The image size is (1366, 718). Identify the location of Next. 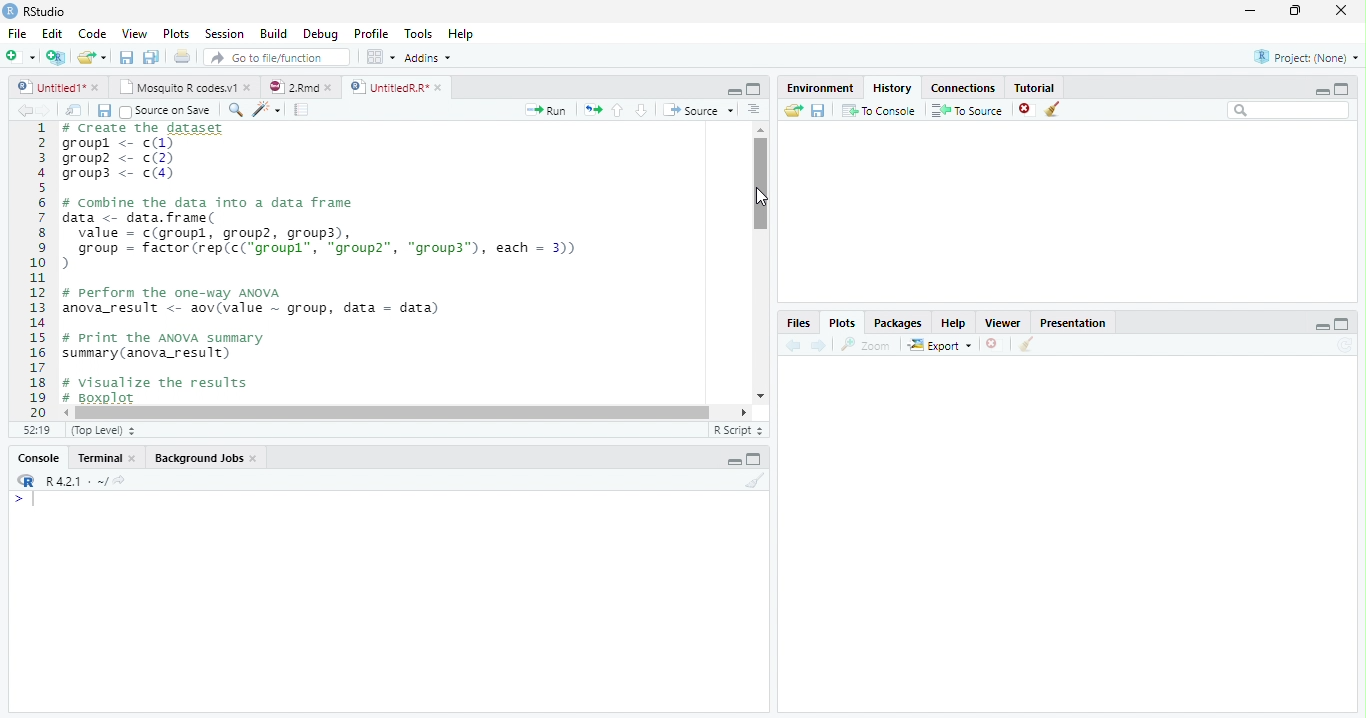
(819, 346).